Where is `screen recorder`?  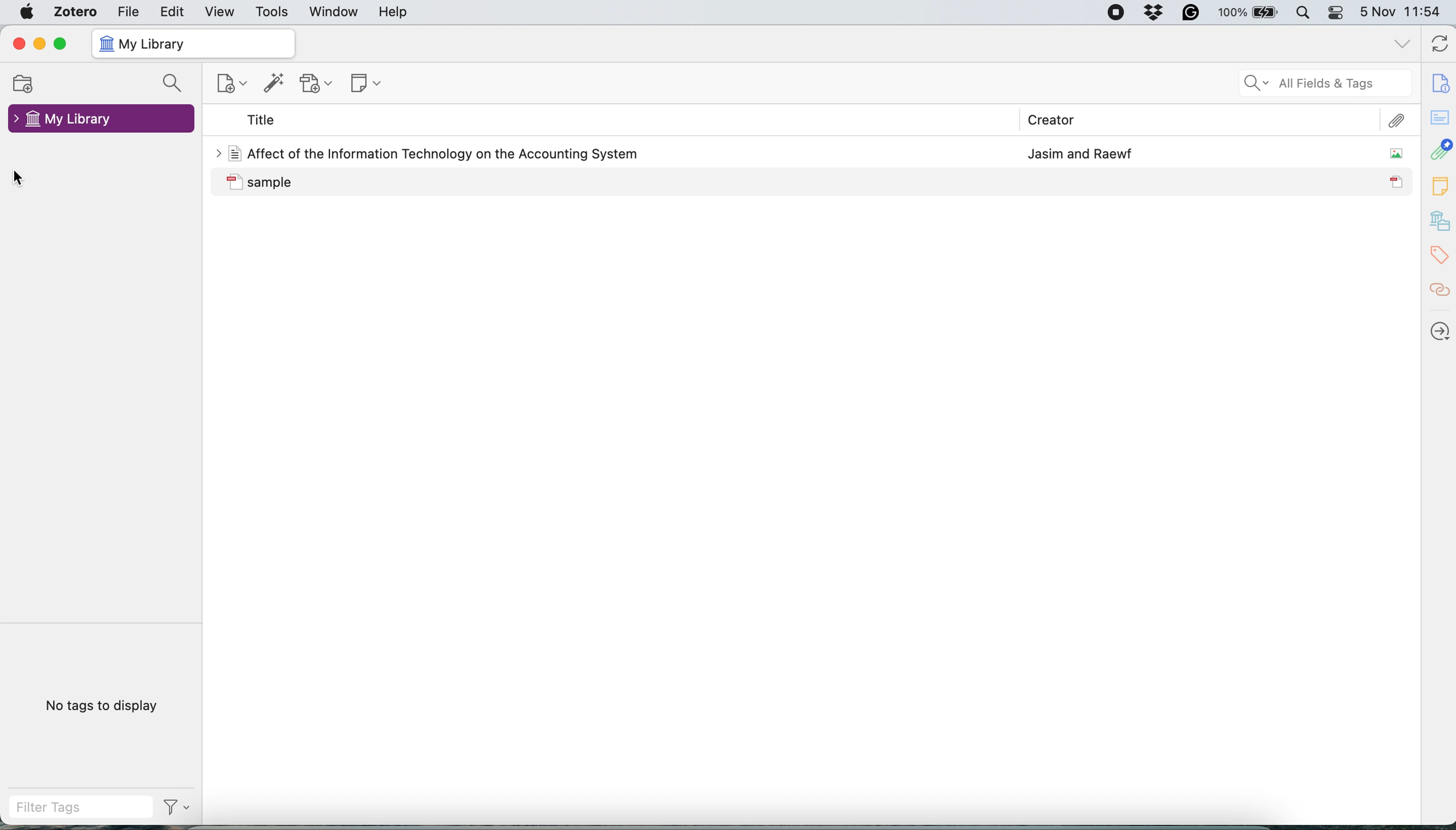 screen recorder is located at coordinates (1112, 13).